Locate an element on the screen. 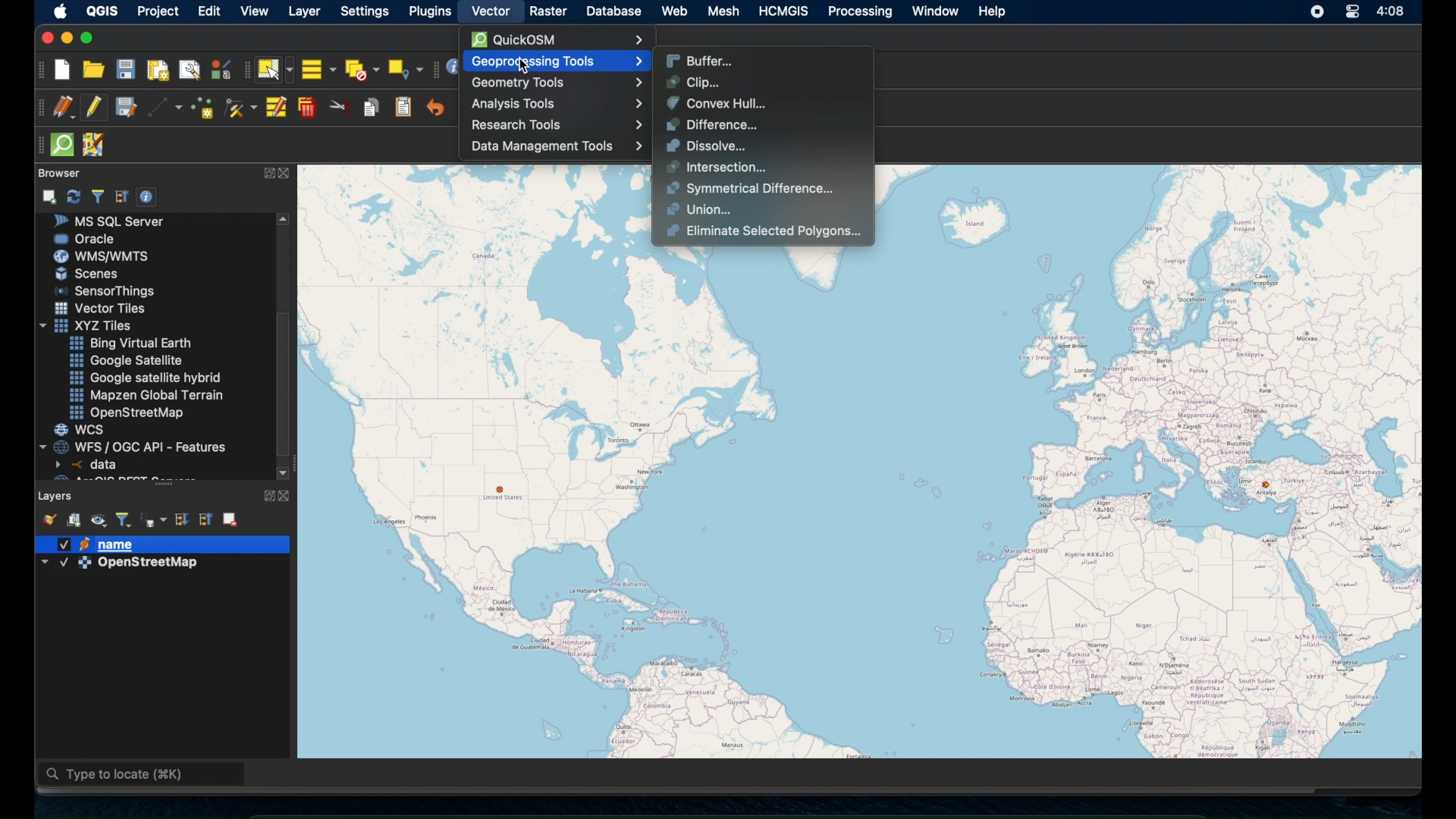  scenes is located at coordinates (93, 275).